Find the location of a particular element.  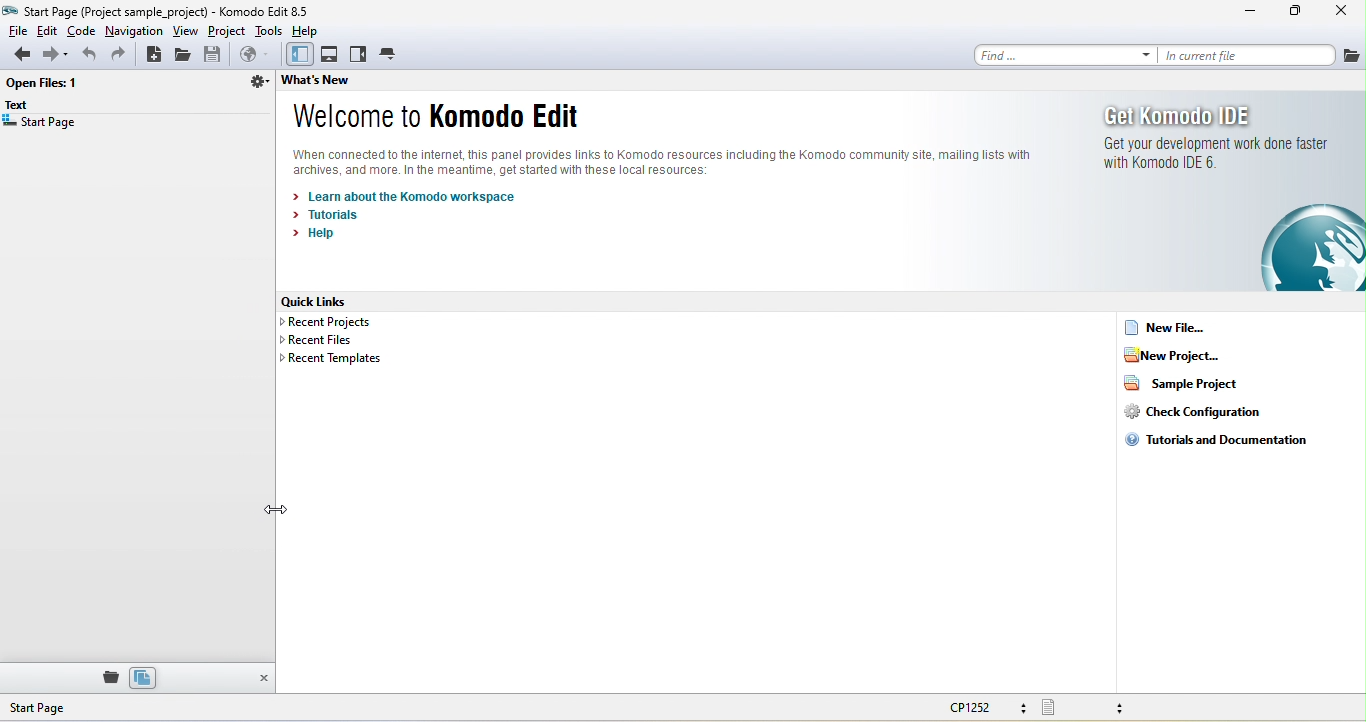

recent projects is located at coordinates (338, 323).